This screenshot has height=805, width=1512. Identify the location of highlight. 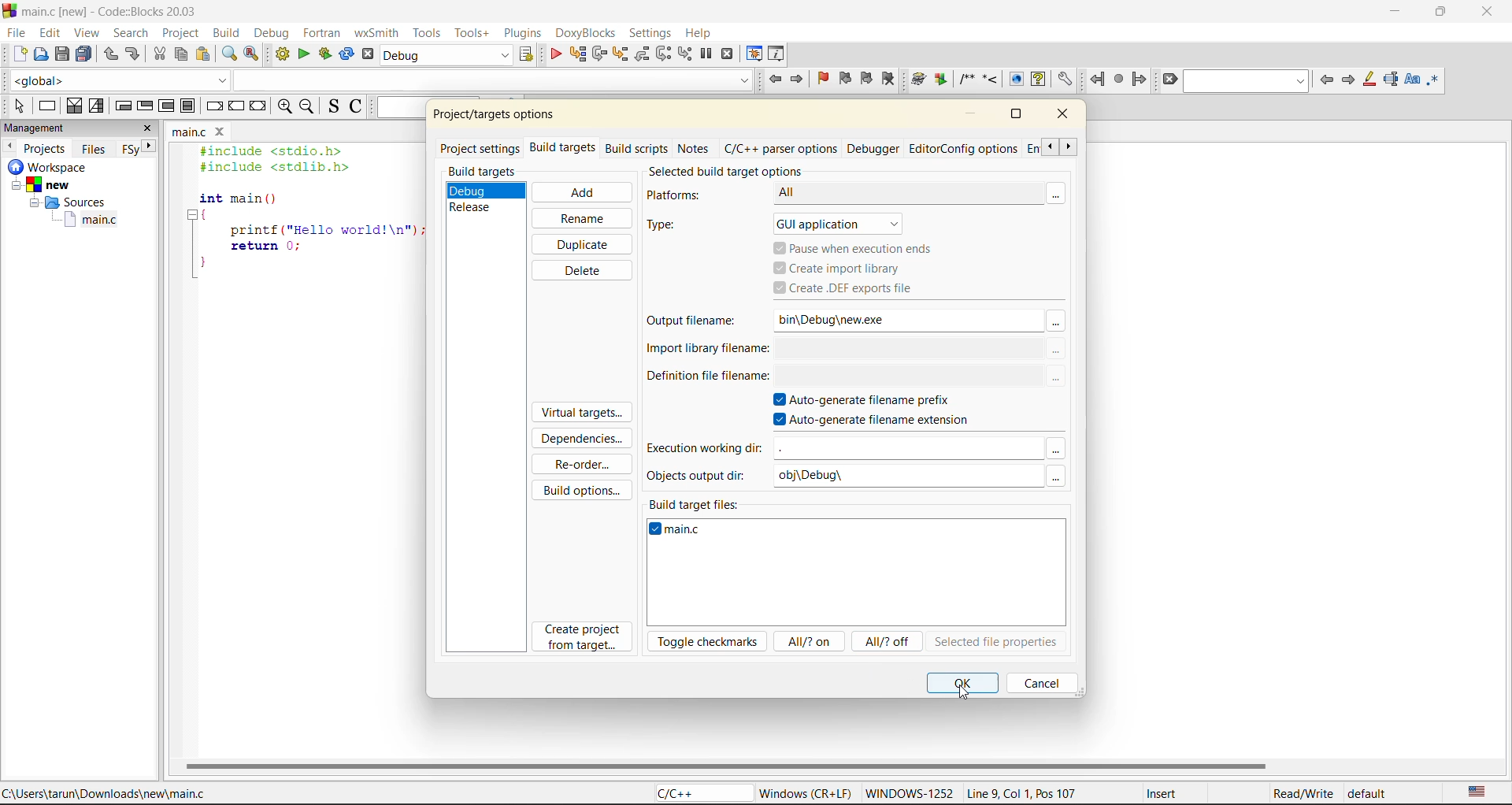
(1369, 80).